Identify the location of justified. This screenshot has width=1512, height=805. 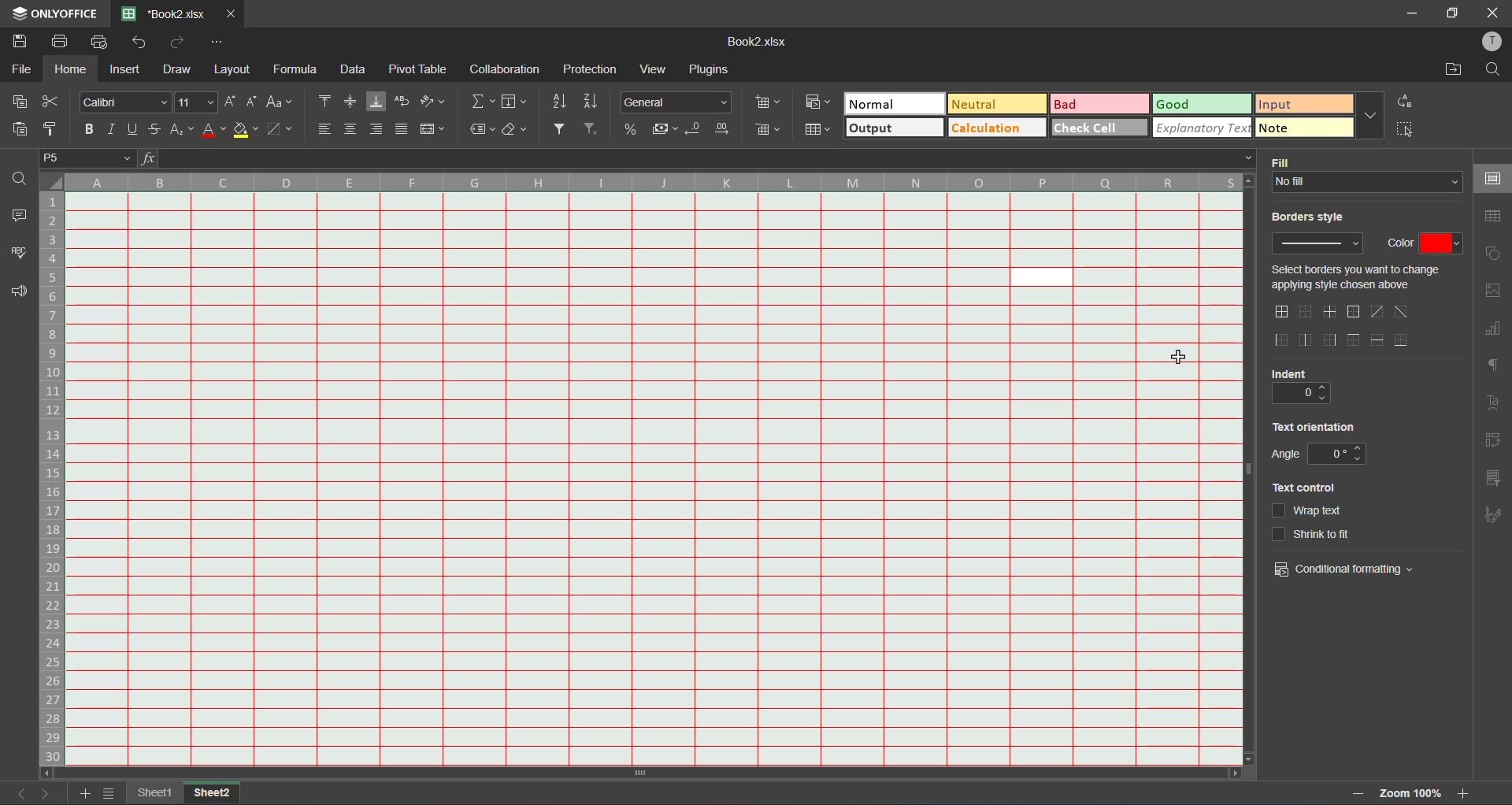
(405, 130).